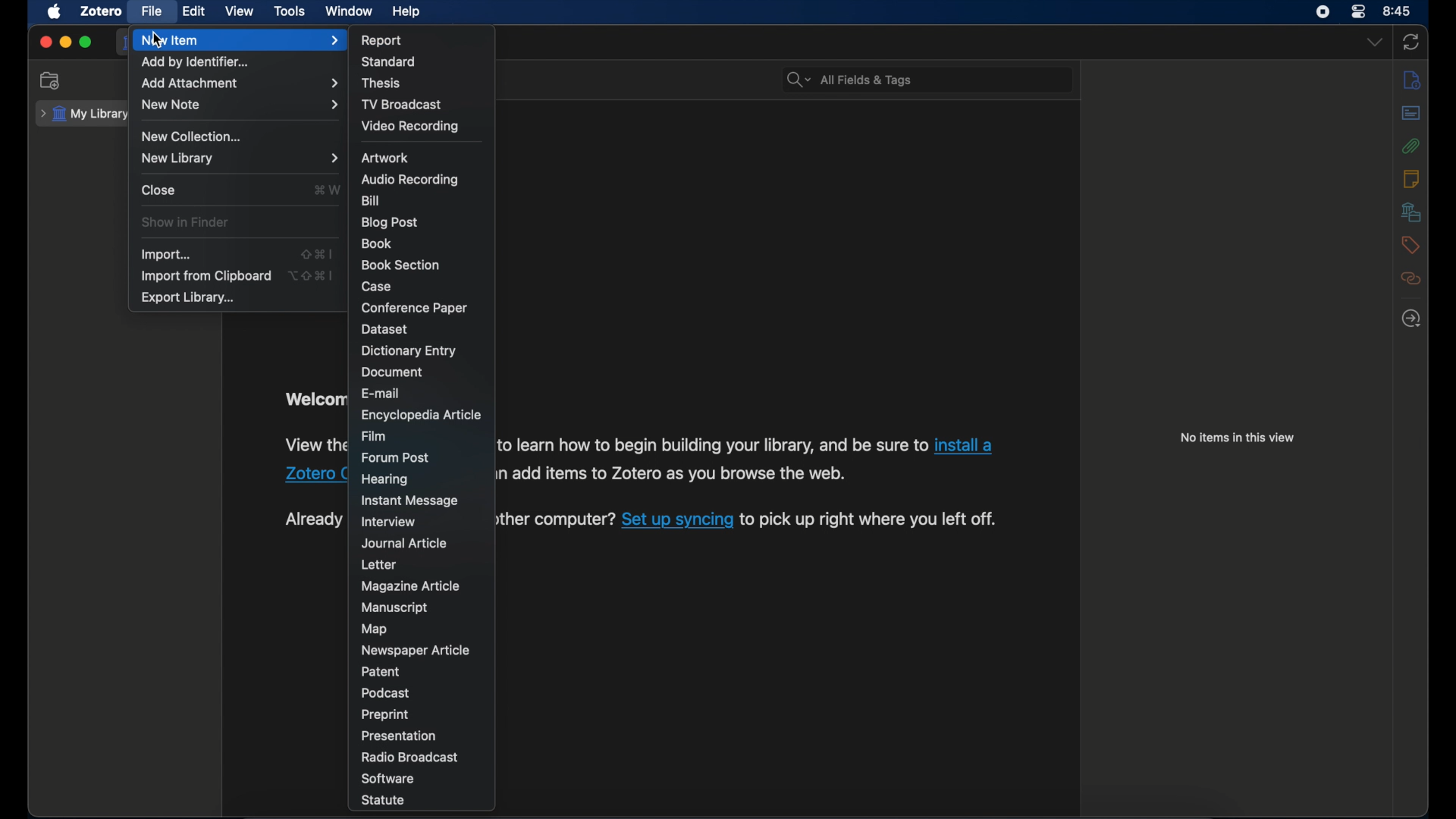 This screenshot has height=819, width=1456. I want to click on thesis, so click(384, 83).